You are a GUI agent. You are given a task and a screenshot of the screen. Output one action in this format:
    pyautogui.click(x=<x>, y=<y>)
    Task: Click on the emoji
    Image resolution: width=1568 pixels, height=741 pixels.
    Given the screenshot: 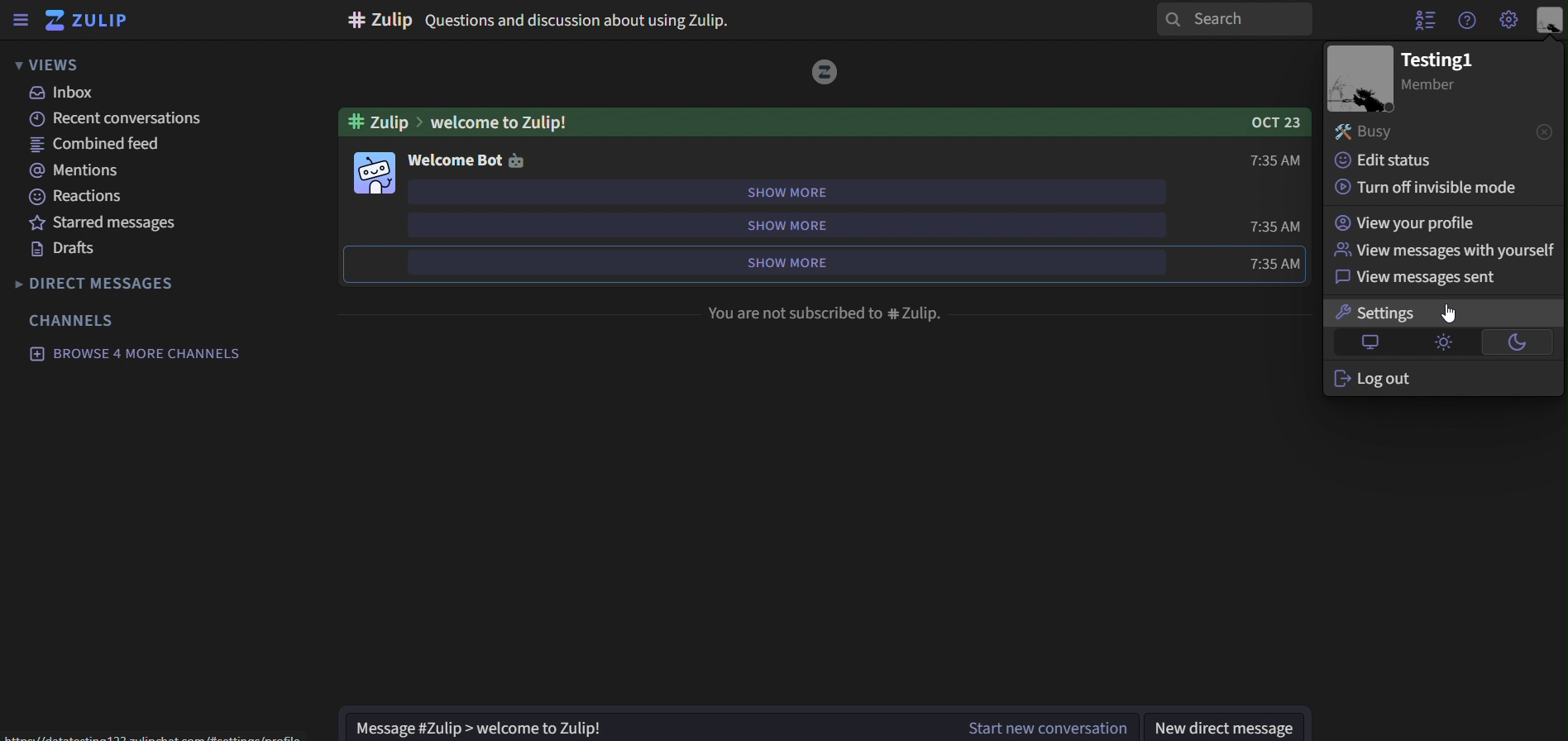 What is the action you would take?
    pyautogui.click(x=523, y=160)
    